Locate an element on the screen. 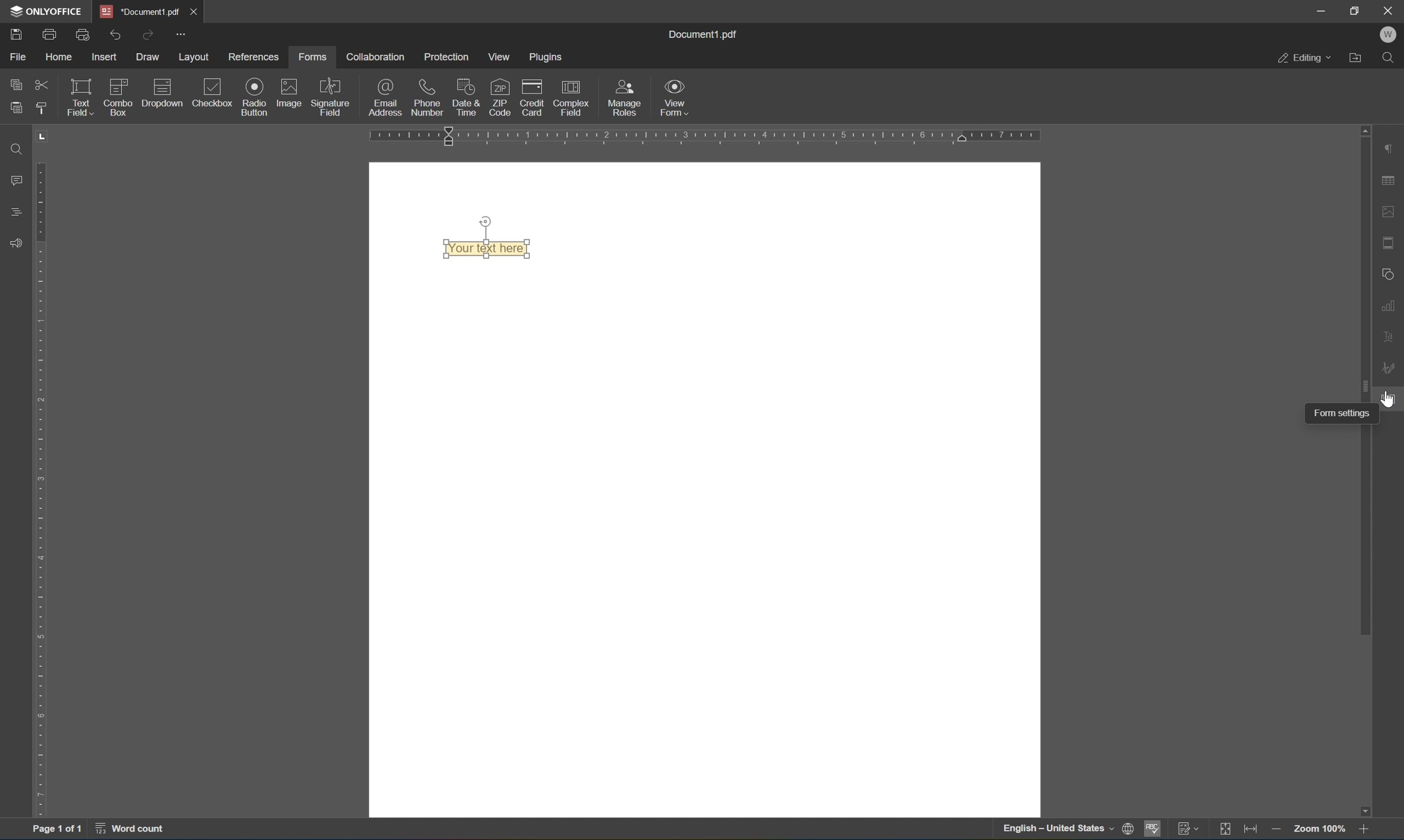 This screenshot has height=840, width=1404. headings is located at coordinates (18, 211).